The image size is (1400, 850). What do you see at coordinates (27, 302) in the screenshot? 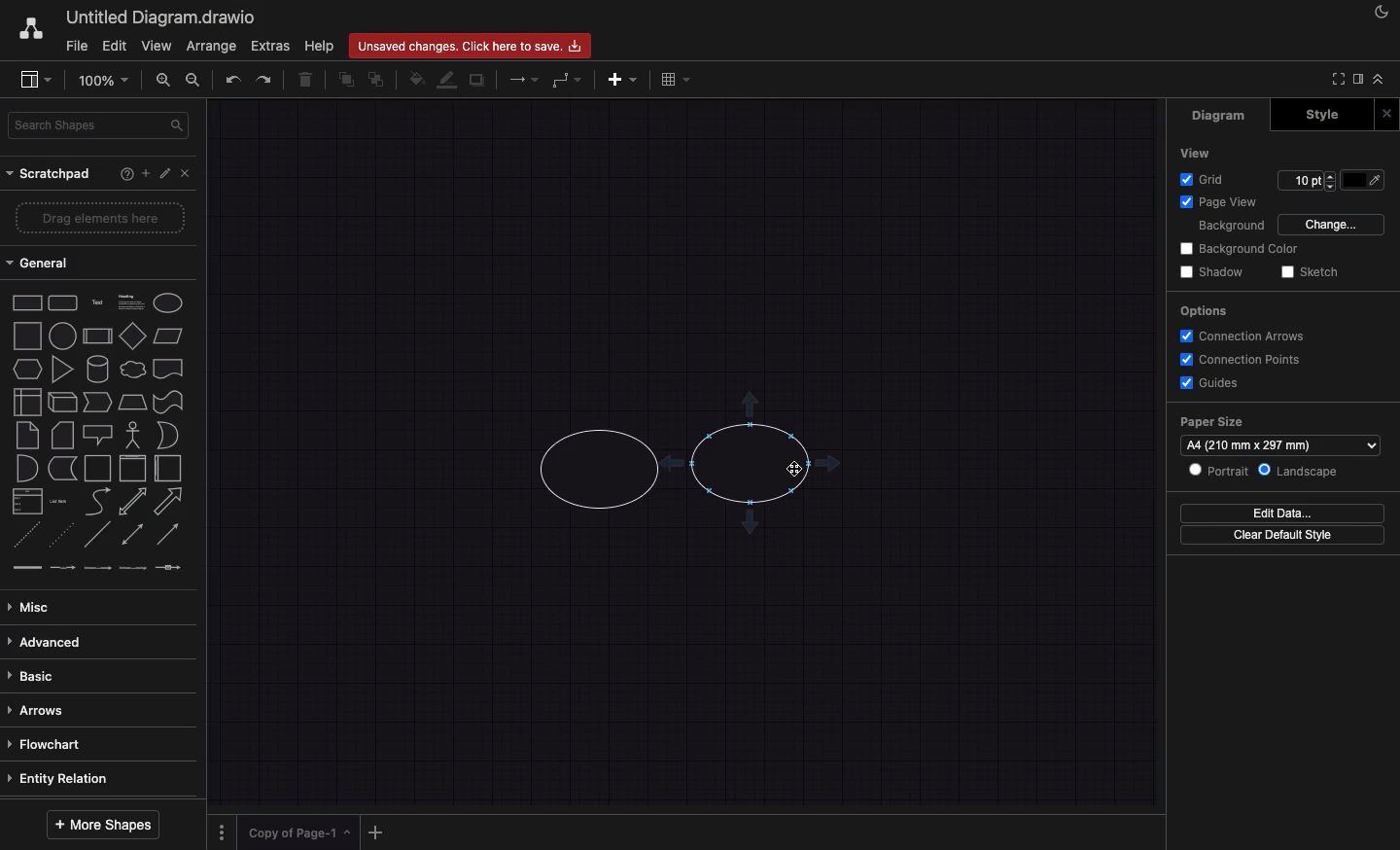
I see `rectangle` at bounding box center [27, 302].